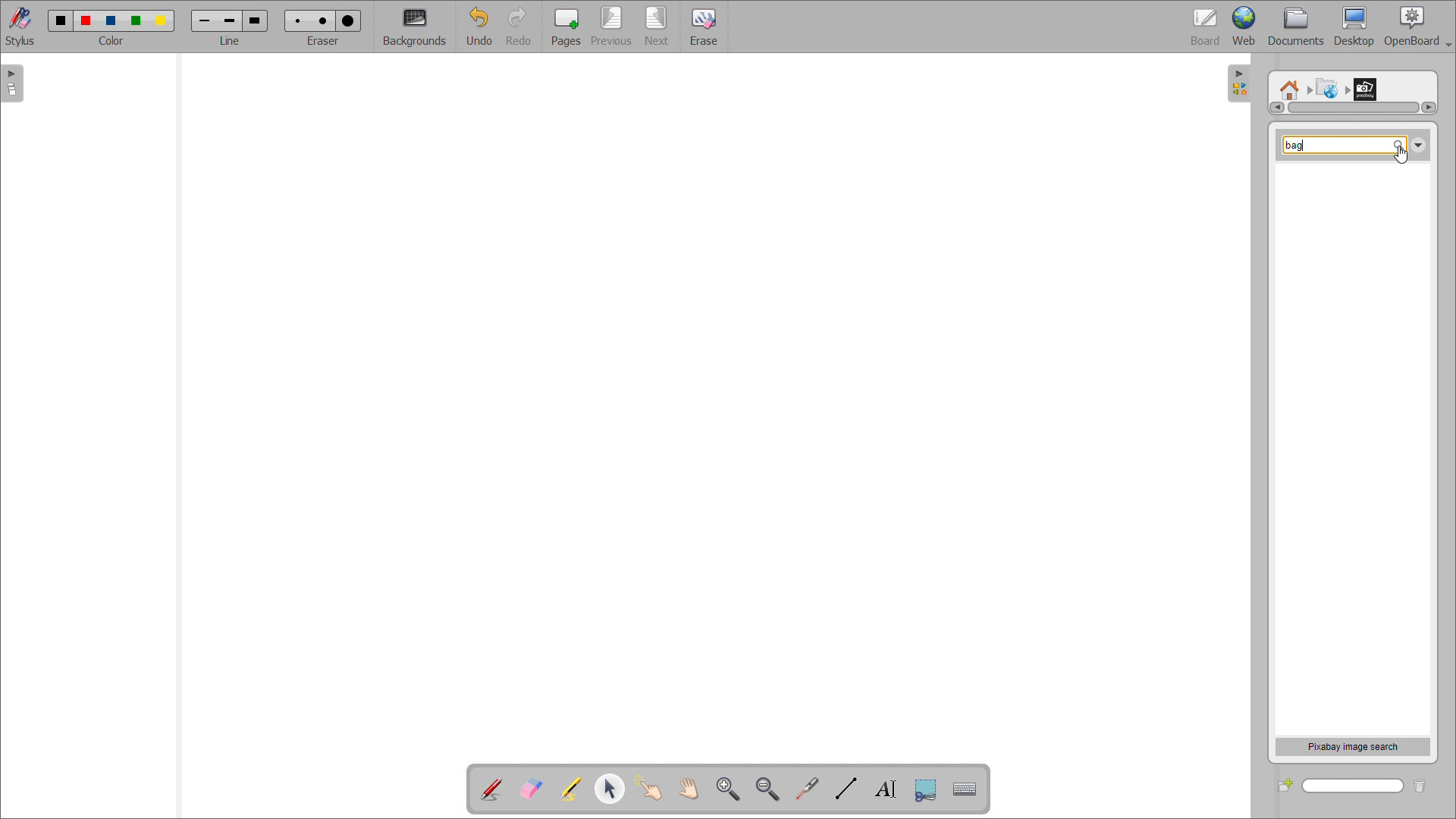 This screenshot has height=819, width=1456. Describe the element at coordinates (1355, 27) in the screenshot. I see `desktop view` at that location.